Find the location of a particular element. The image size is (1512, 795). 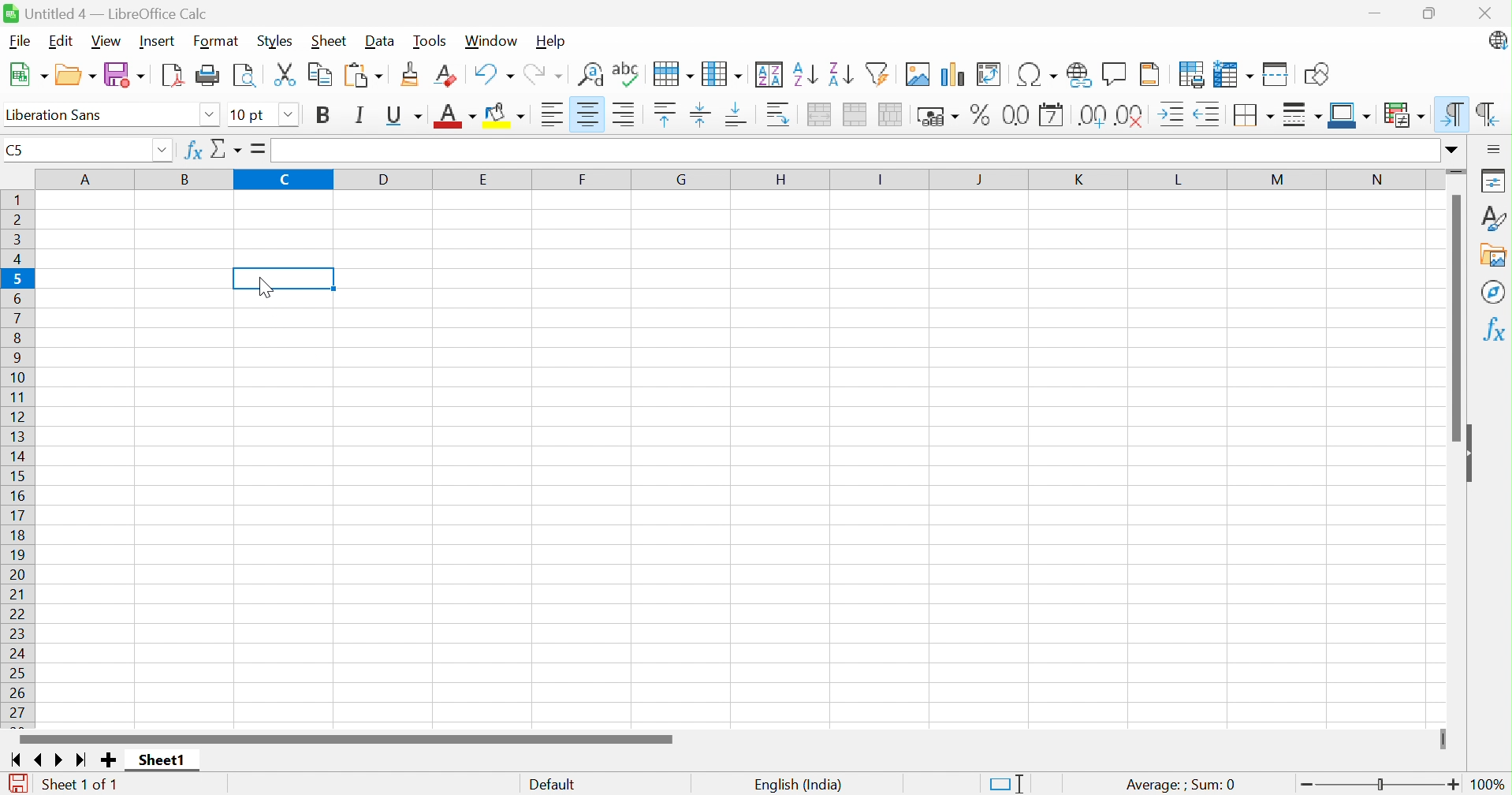

Scroll to next sheet is located at coordinates (63, 762).